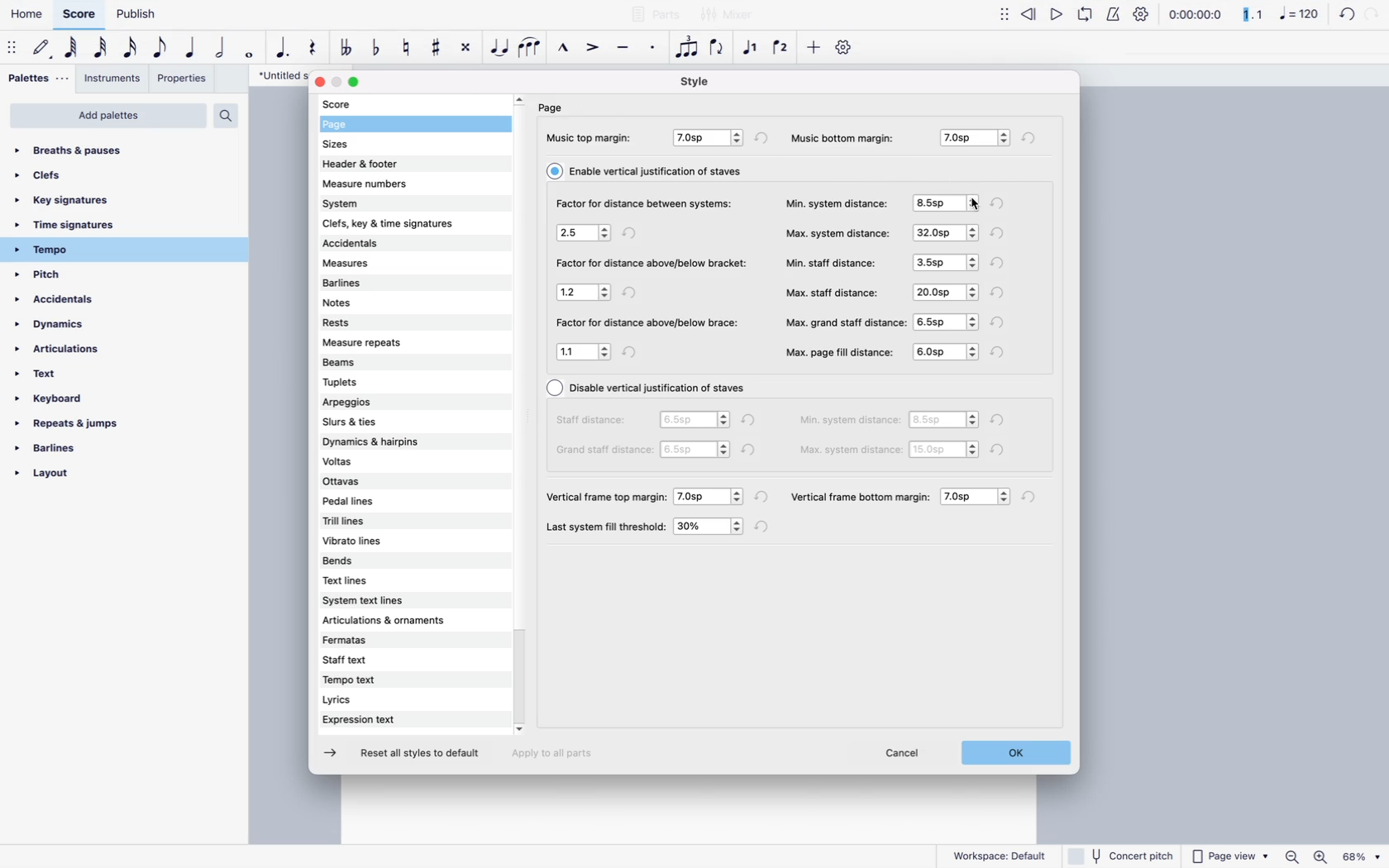 This screenshot has height=868, width=1389. I want to click on max system distance, so click(852, 449).